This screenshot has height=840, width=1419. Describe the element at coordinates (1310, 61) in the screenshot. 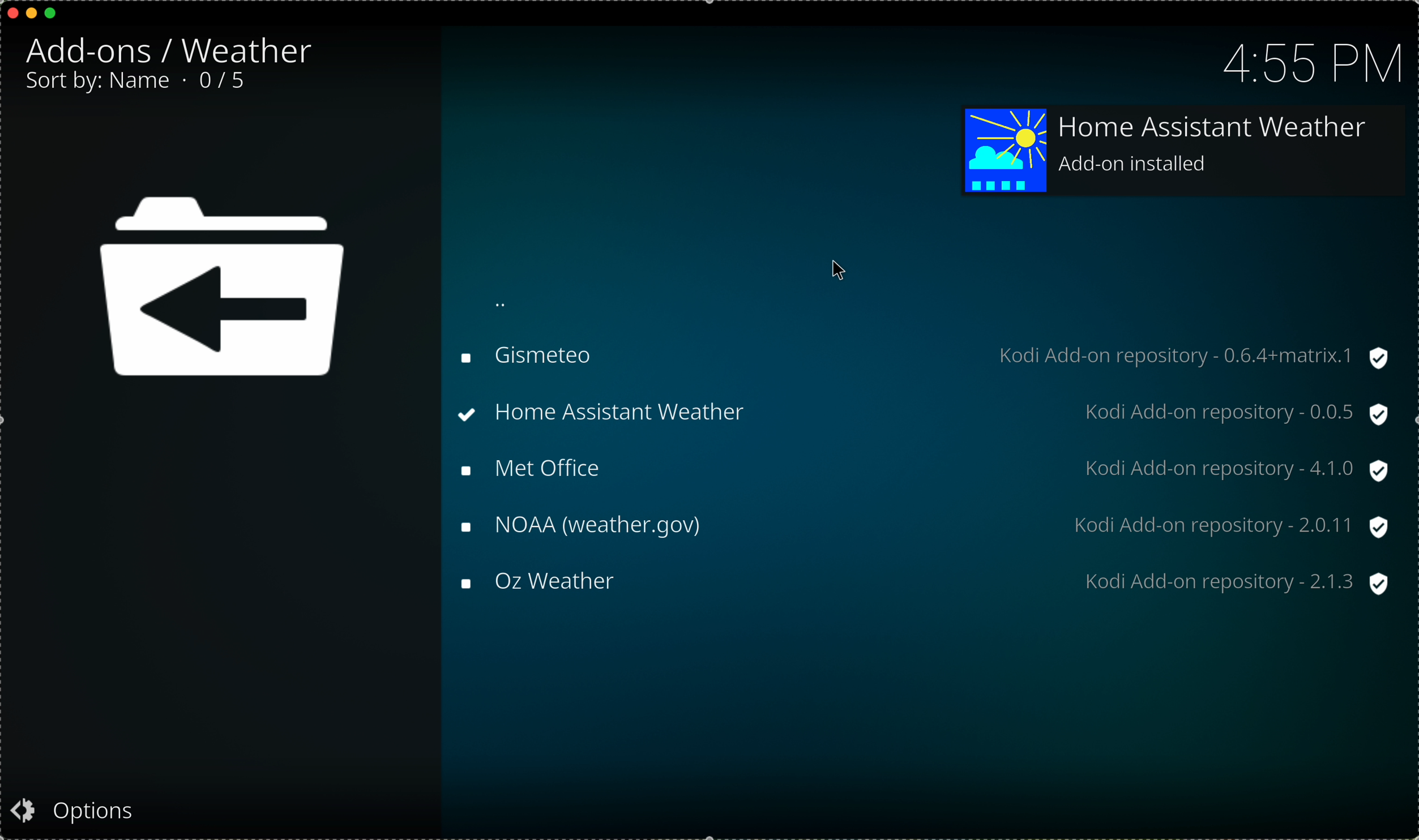

I see `hour` at that location.